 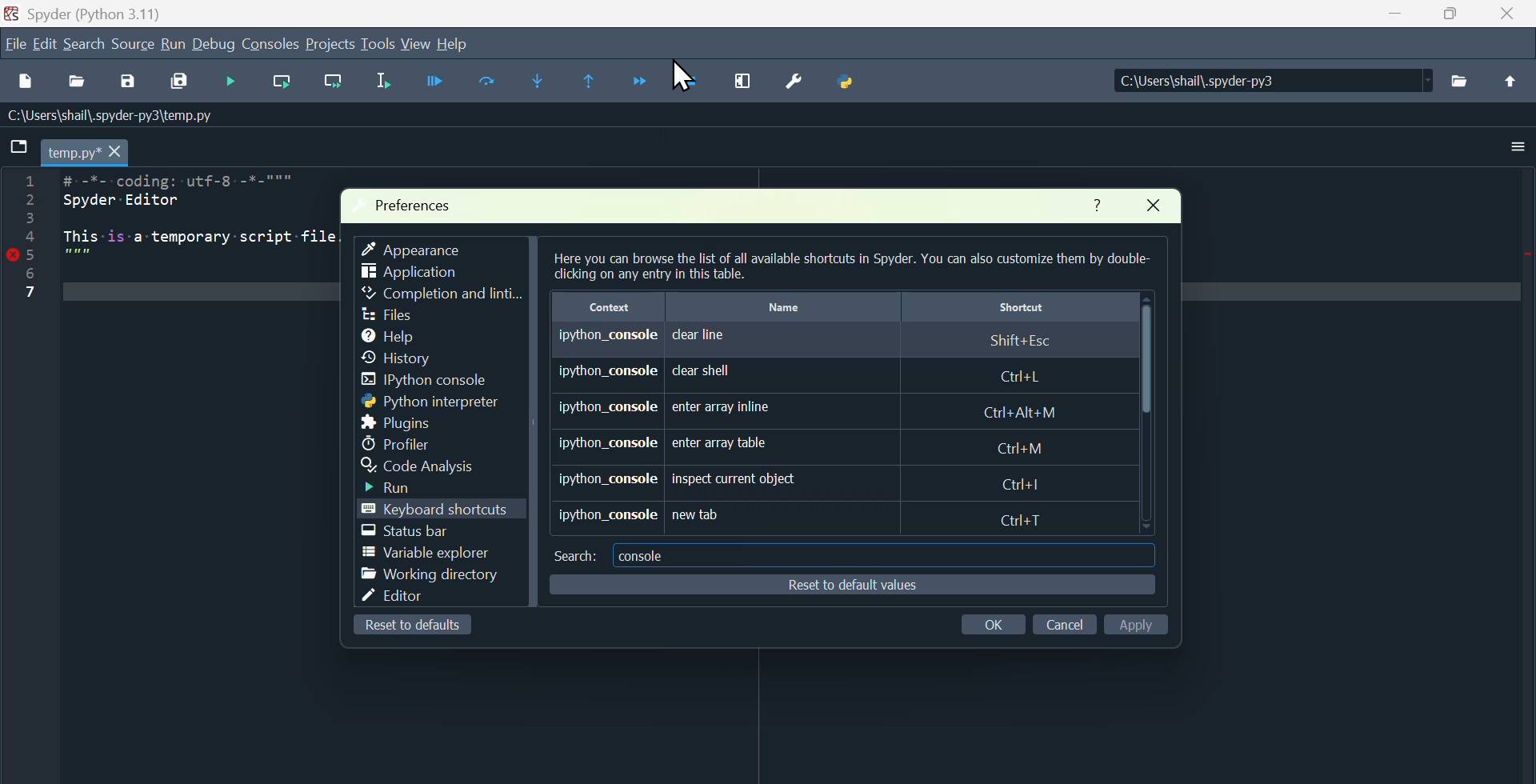 I want to click on Continue execution until next function, so click(x=641, y=78).